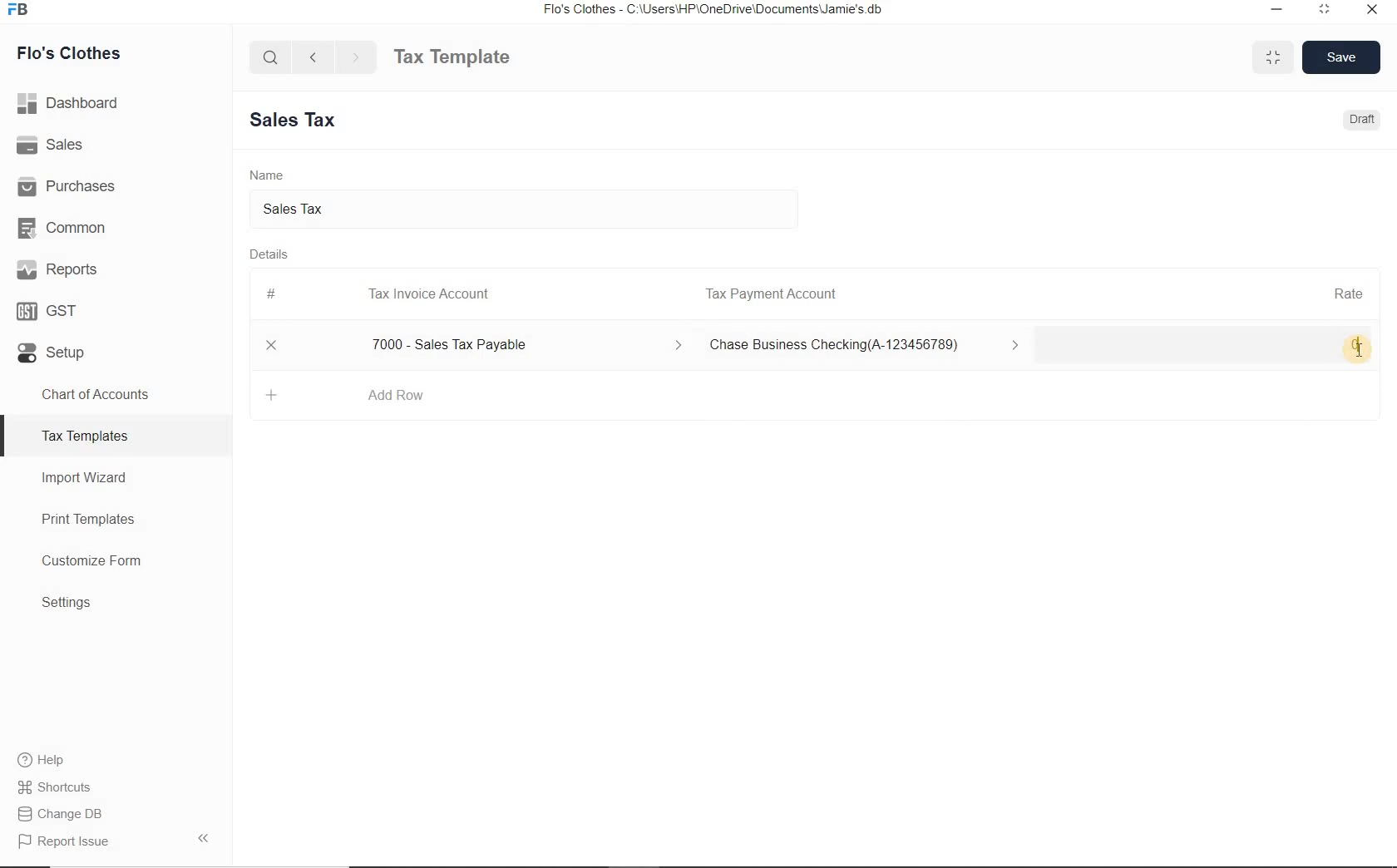  I want to click on Draft, so click(1364, 119).